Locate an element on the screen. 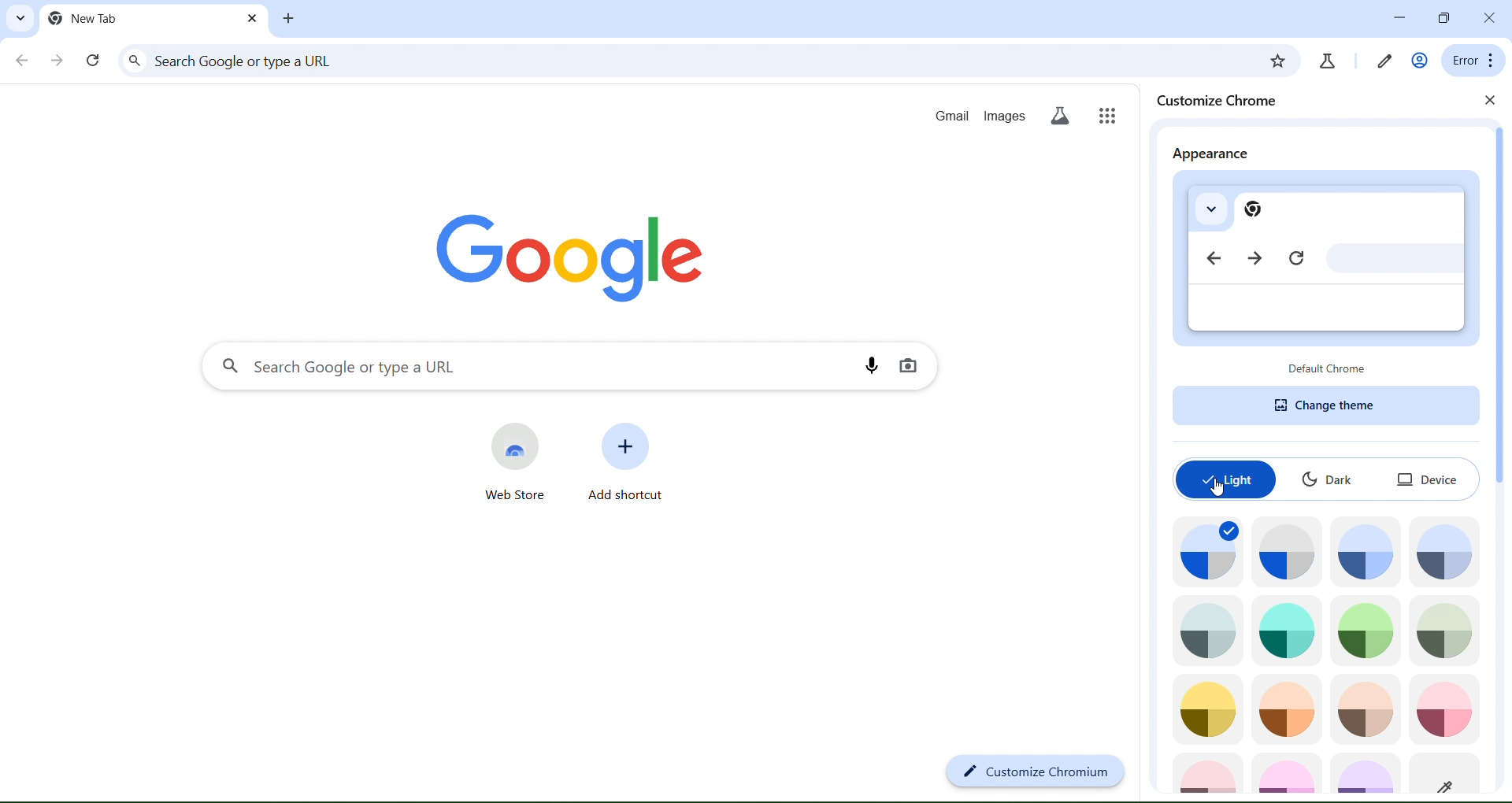  image is located at coordinates (1447, 550).